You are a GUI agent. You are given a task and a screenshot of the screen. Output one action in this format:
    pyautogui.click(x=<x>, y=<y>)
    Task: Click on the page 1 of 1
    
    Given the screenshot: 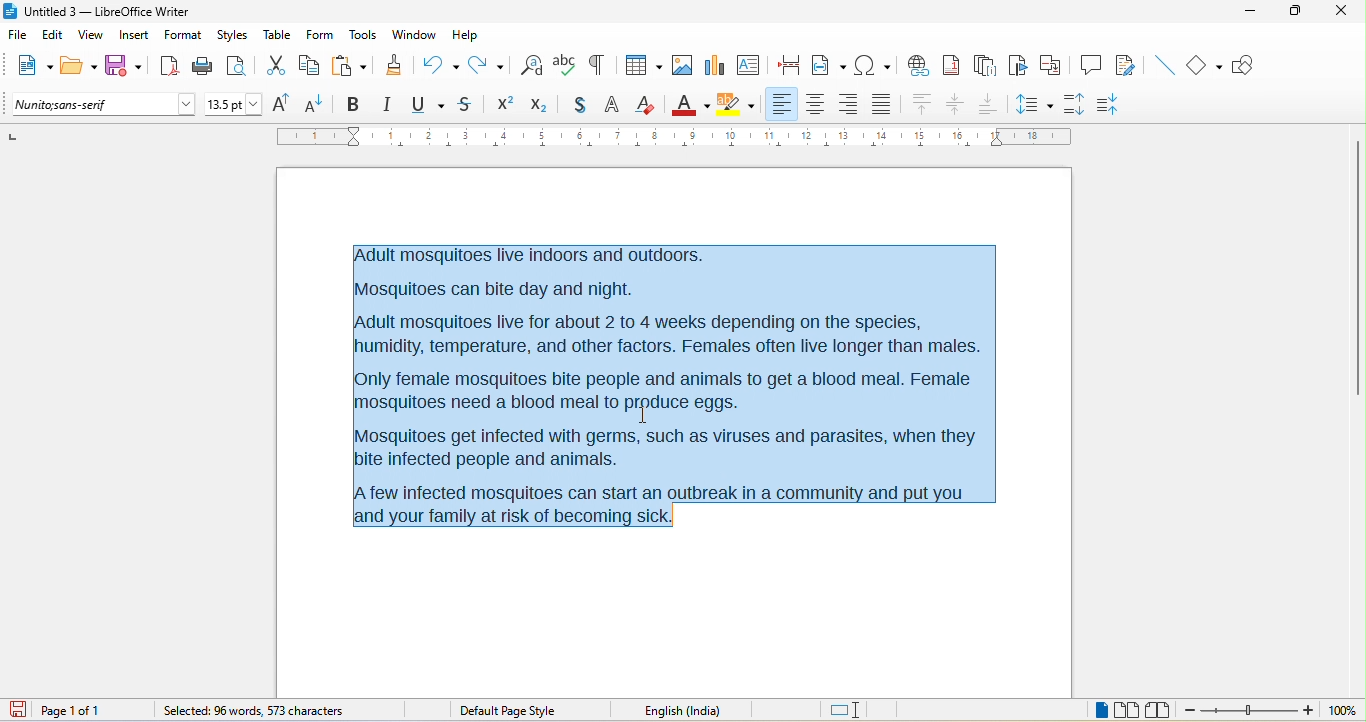 What is the action you would take?
    pyautogui.click(x=91, y=710)
    